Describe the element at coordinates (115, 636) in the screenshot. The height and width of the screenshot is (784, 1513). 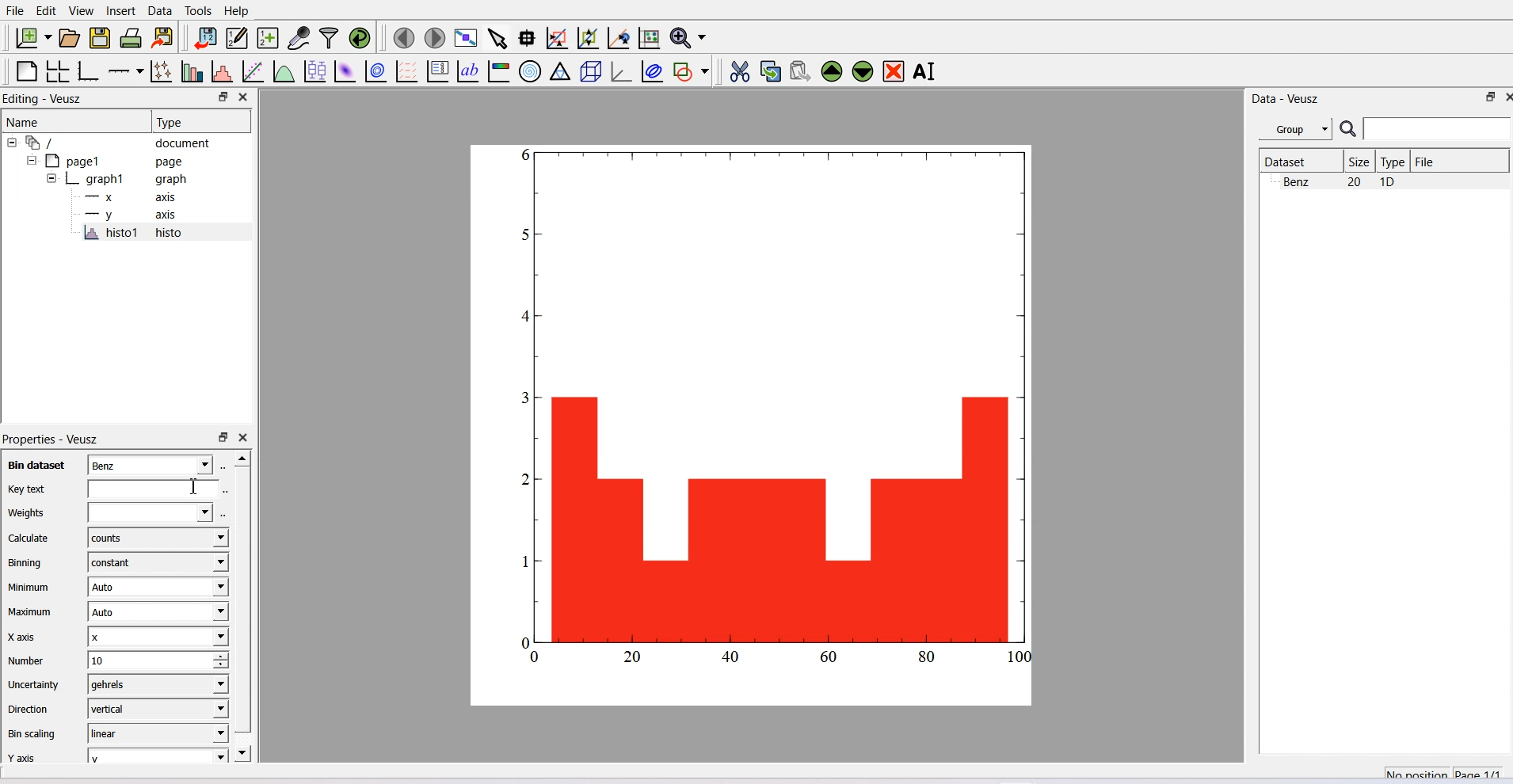
I see `X axis - X` at that location.